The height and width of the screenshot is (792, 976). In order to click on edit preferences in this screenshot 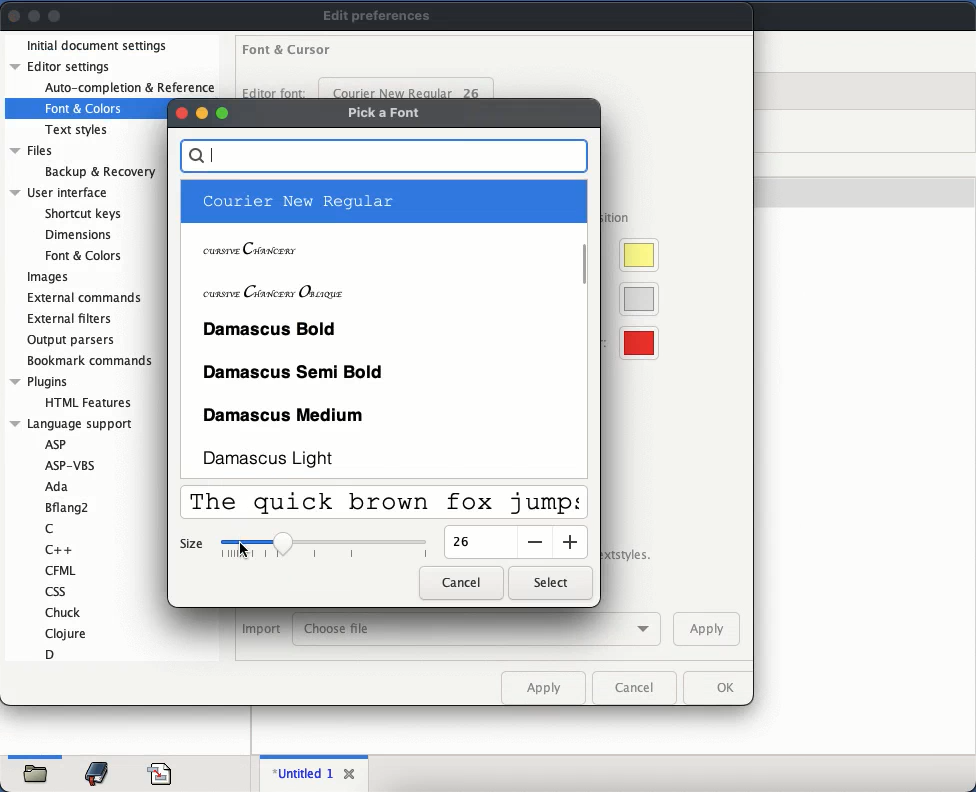, I will do `click(378, 16)`.